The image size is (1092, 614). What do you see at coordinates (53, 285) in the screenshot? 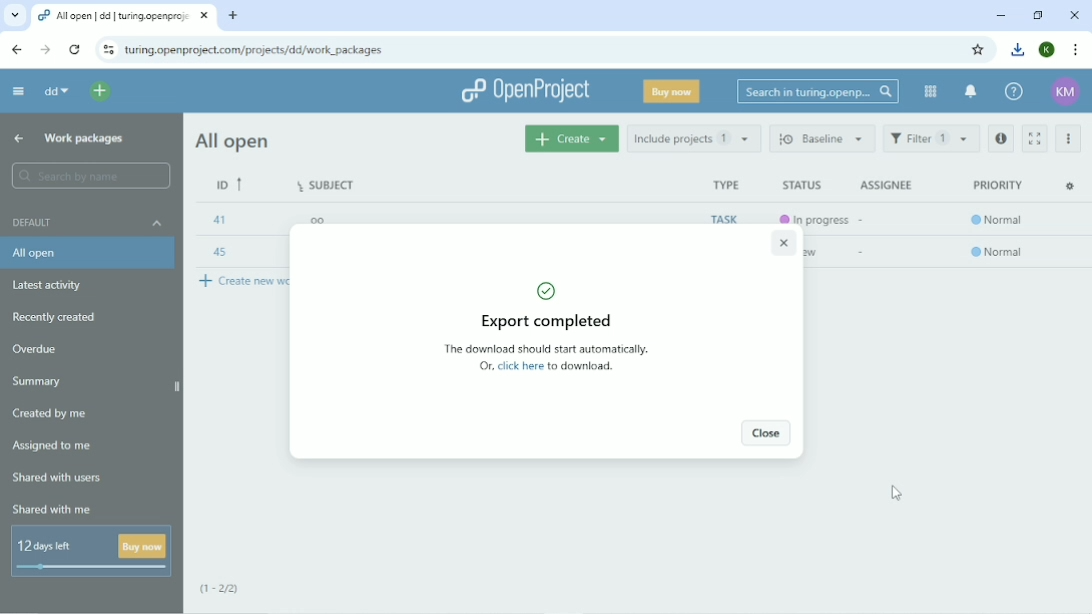
I see `Latest activity` at bounding box center [53, 285].